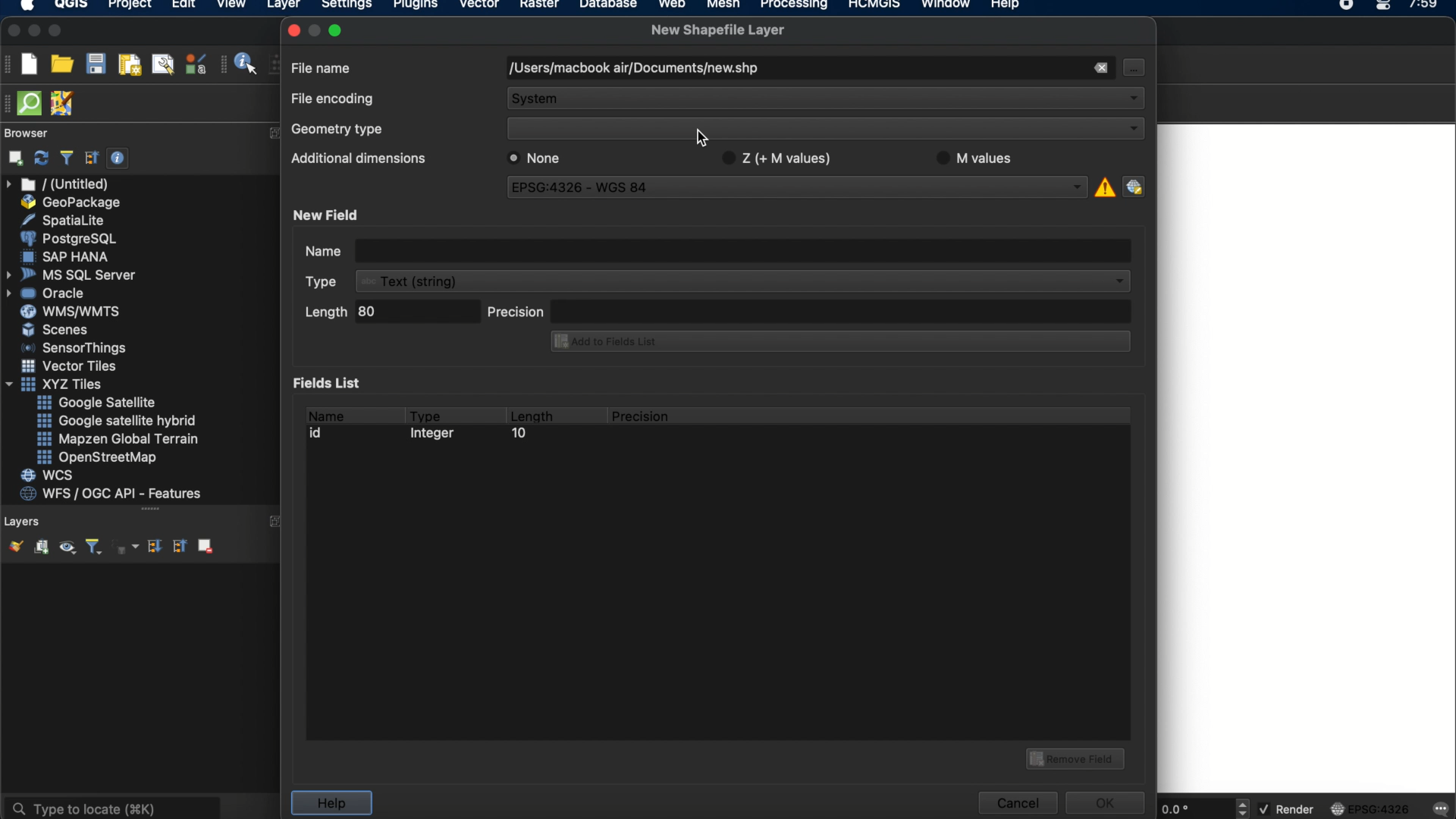 Image resolution: width=1456 pixels, height=819 pixels. Describe the element at coordinates (331, 97) in the screenshot. I see `file encoding` at that location.